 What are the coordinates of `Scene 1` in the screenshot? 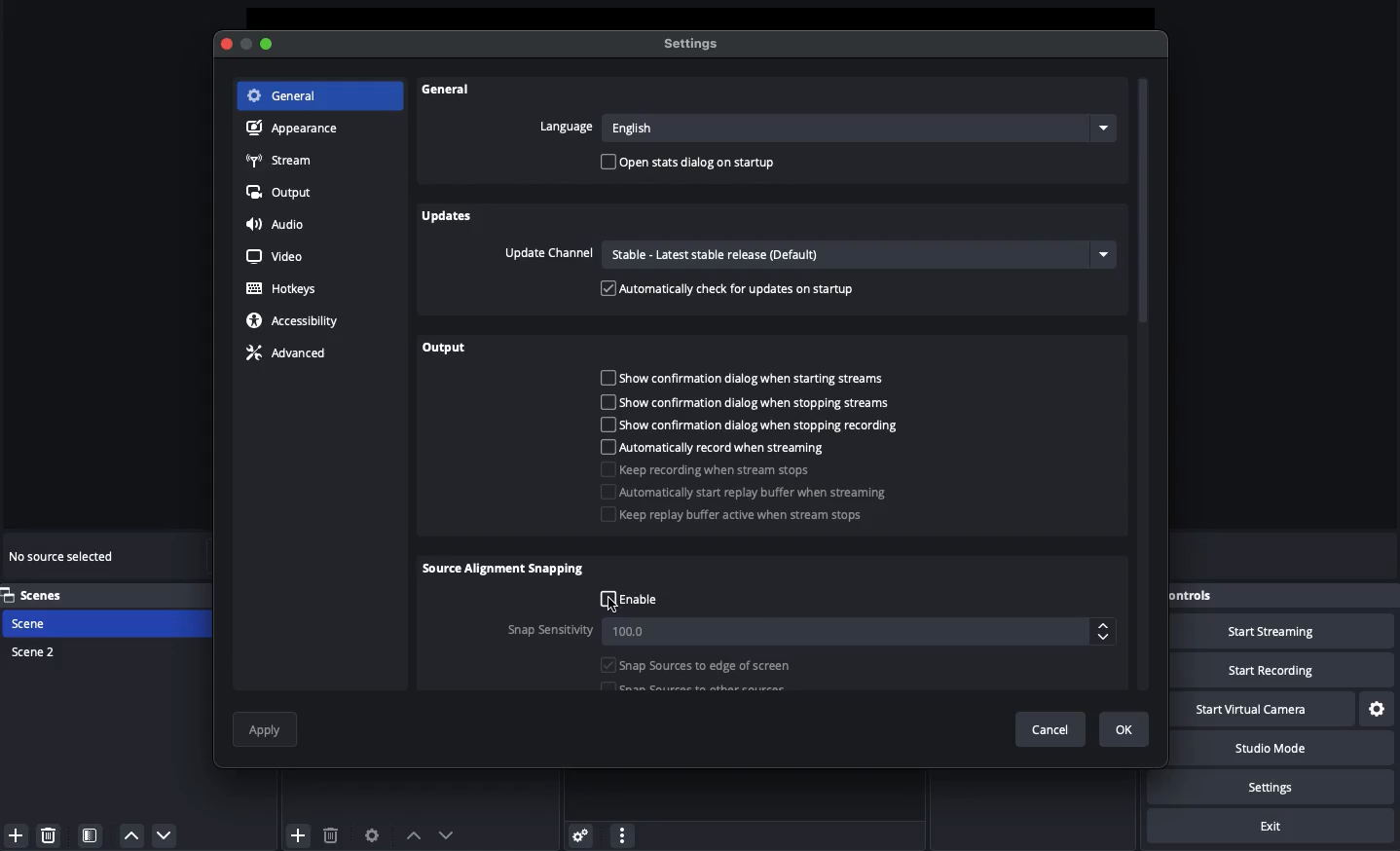 It's located at (42, 623).